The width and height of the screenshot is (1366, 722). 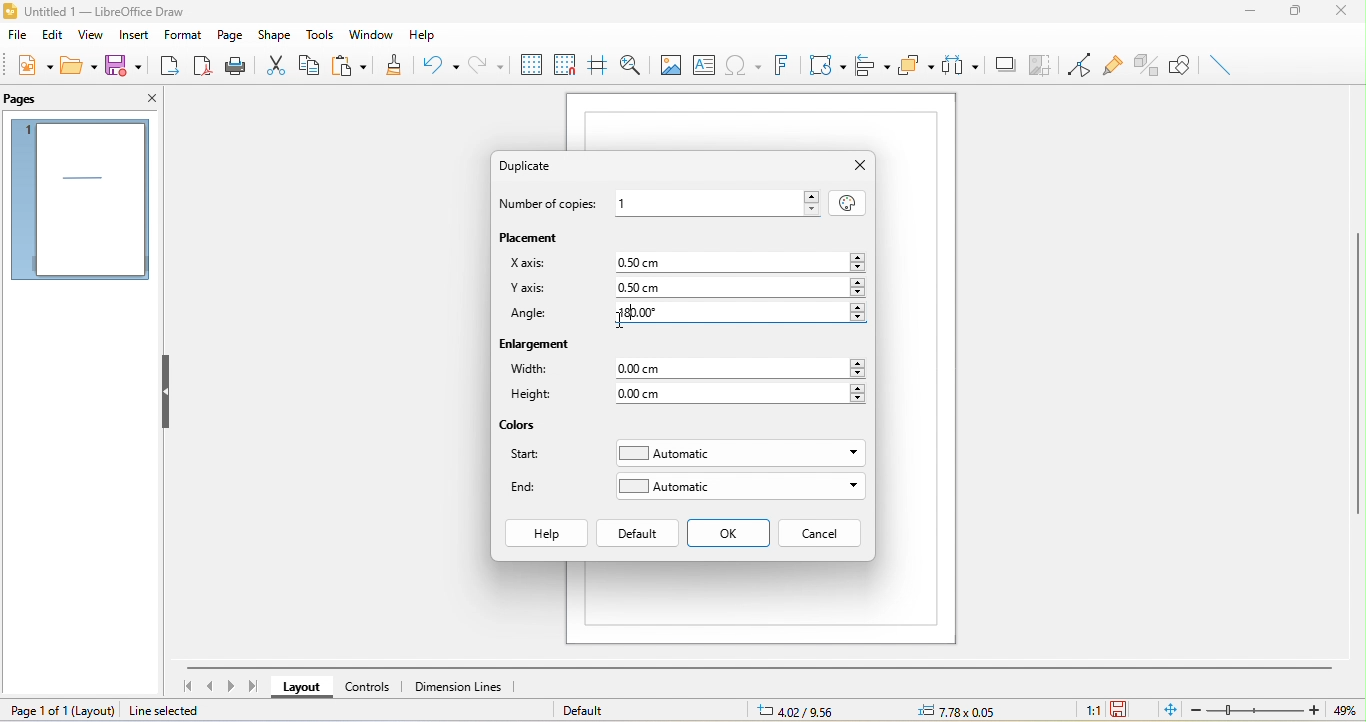 What do you see at coordinates (737, 313) in the screenshot?
I see `180.00 degrees` at bounding box center [737, 313].